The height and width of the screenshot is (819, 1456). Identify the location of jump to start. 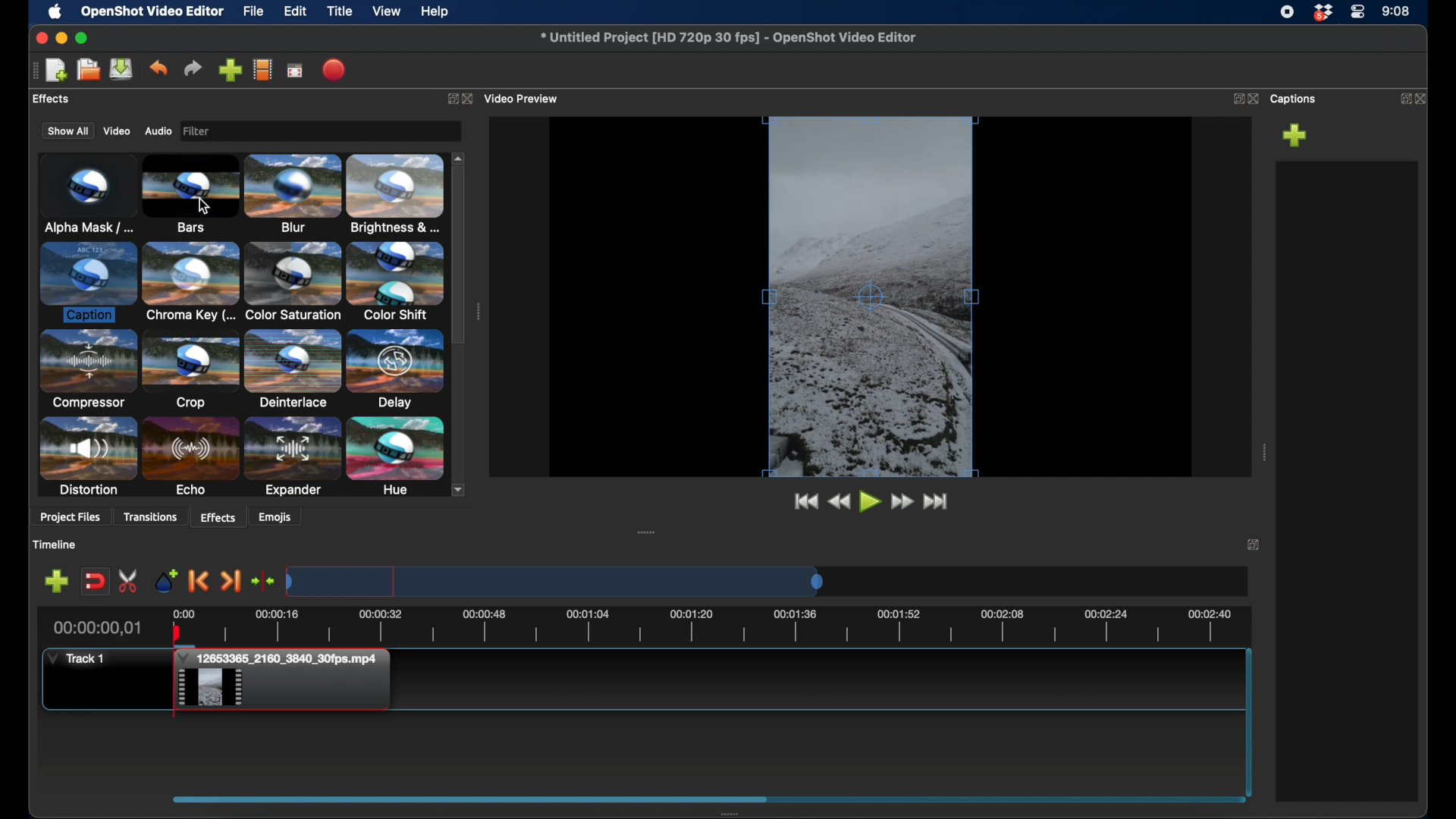
(803, 501).